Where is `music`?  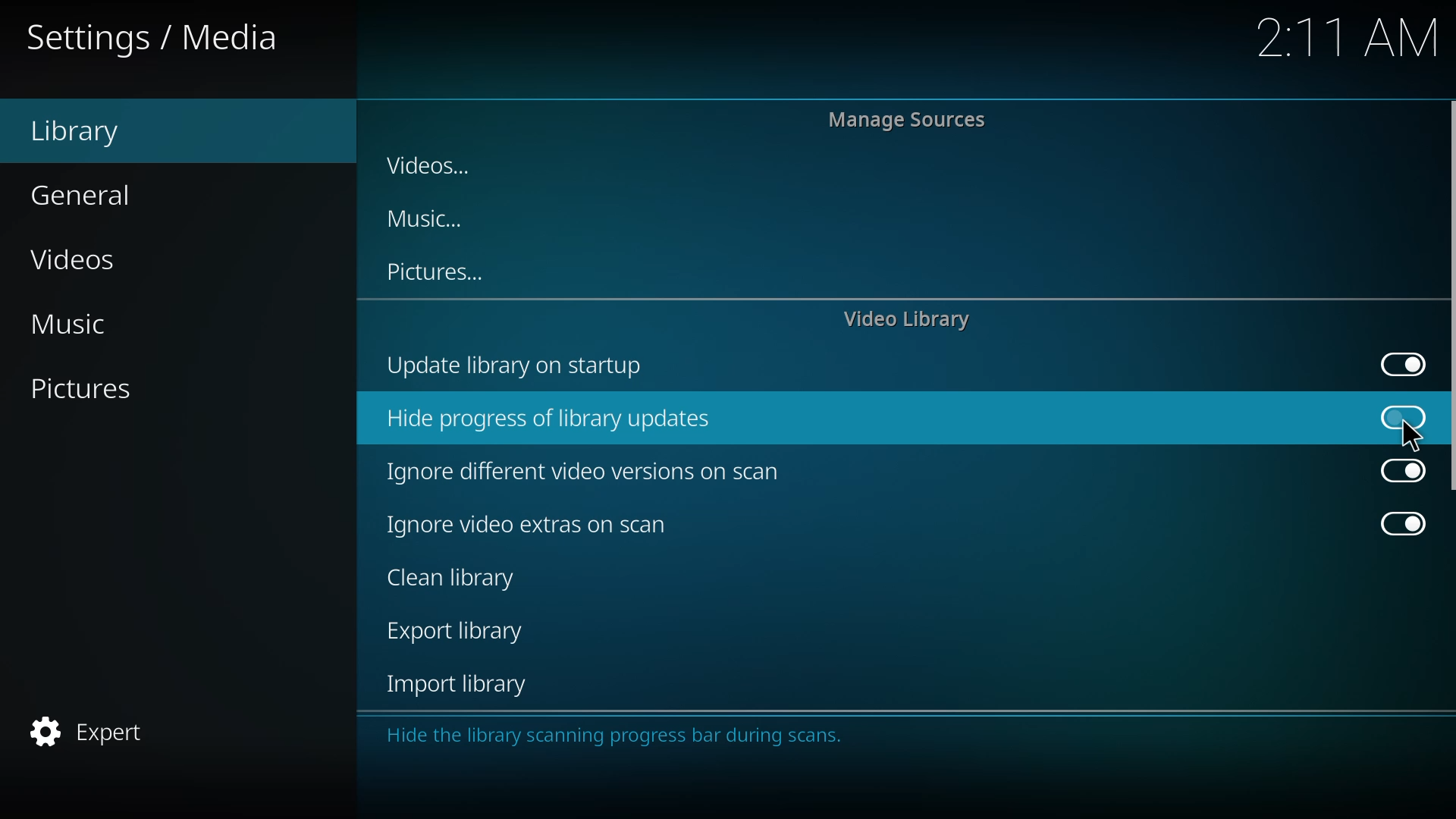 music is located at coordinates (85, 324).